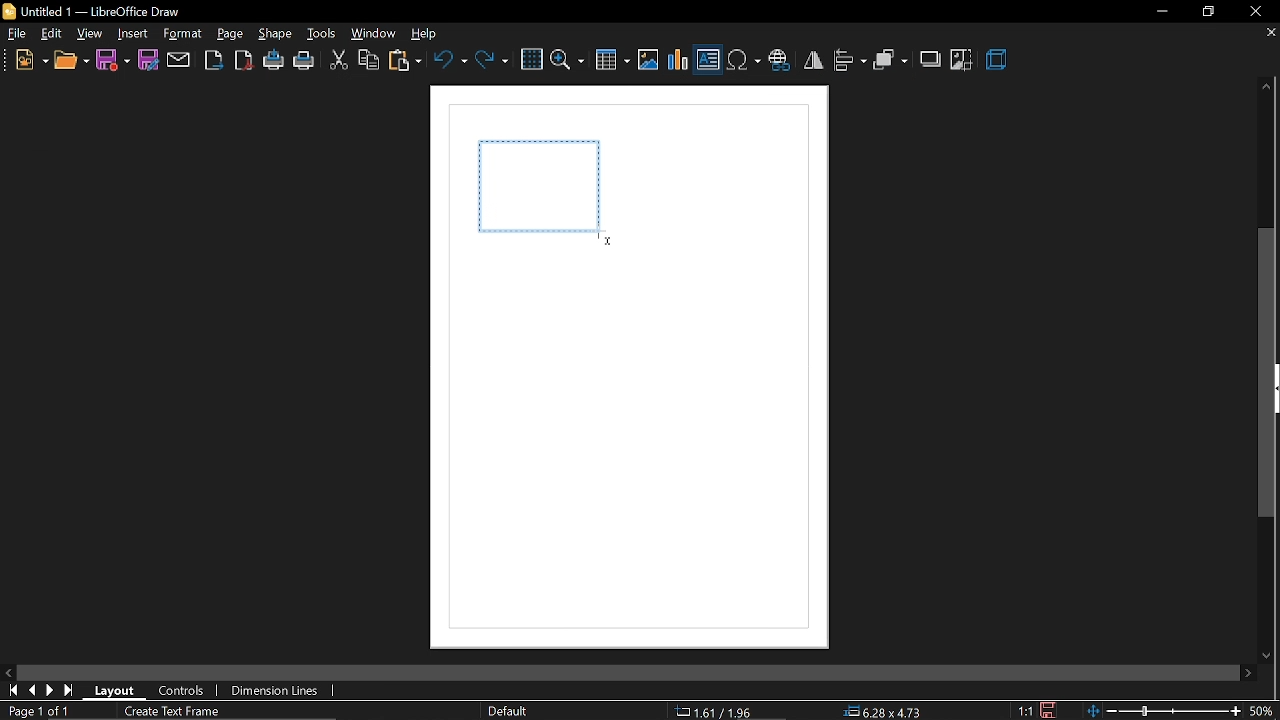  What do you see at coordinates (338, 62) in the screenshot?
I see `cut` at bounding box center [338, 62].